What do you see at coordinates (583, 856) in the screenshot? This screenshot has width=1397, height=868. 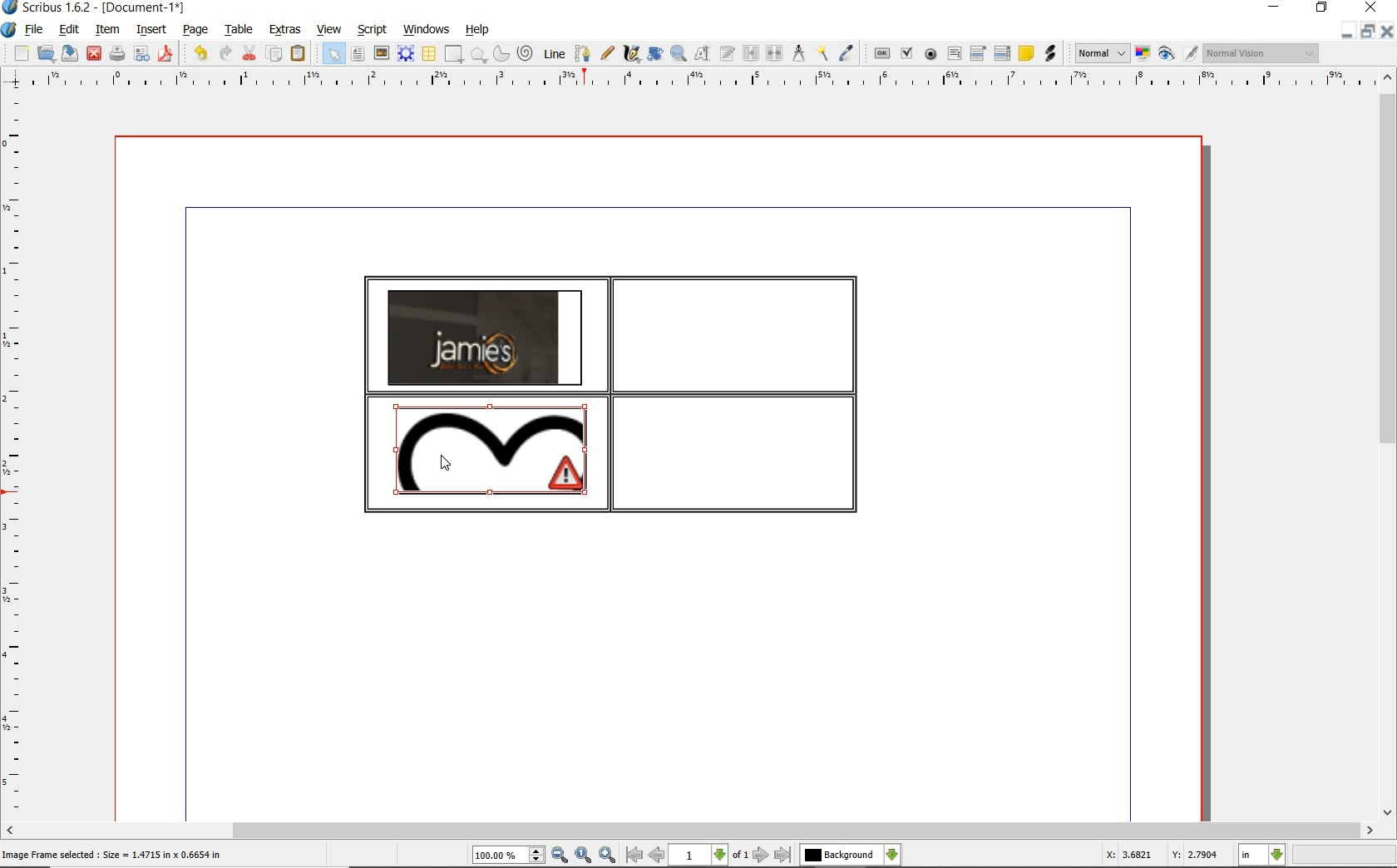 I see `zoom to` at bounding box center [583, 856].